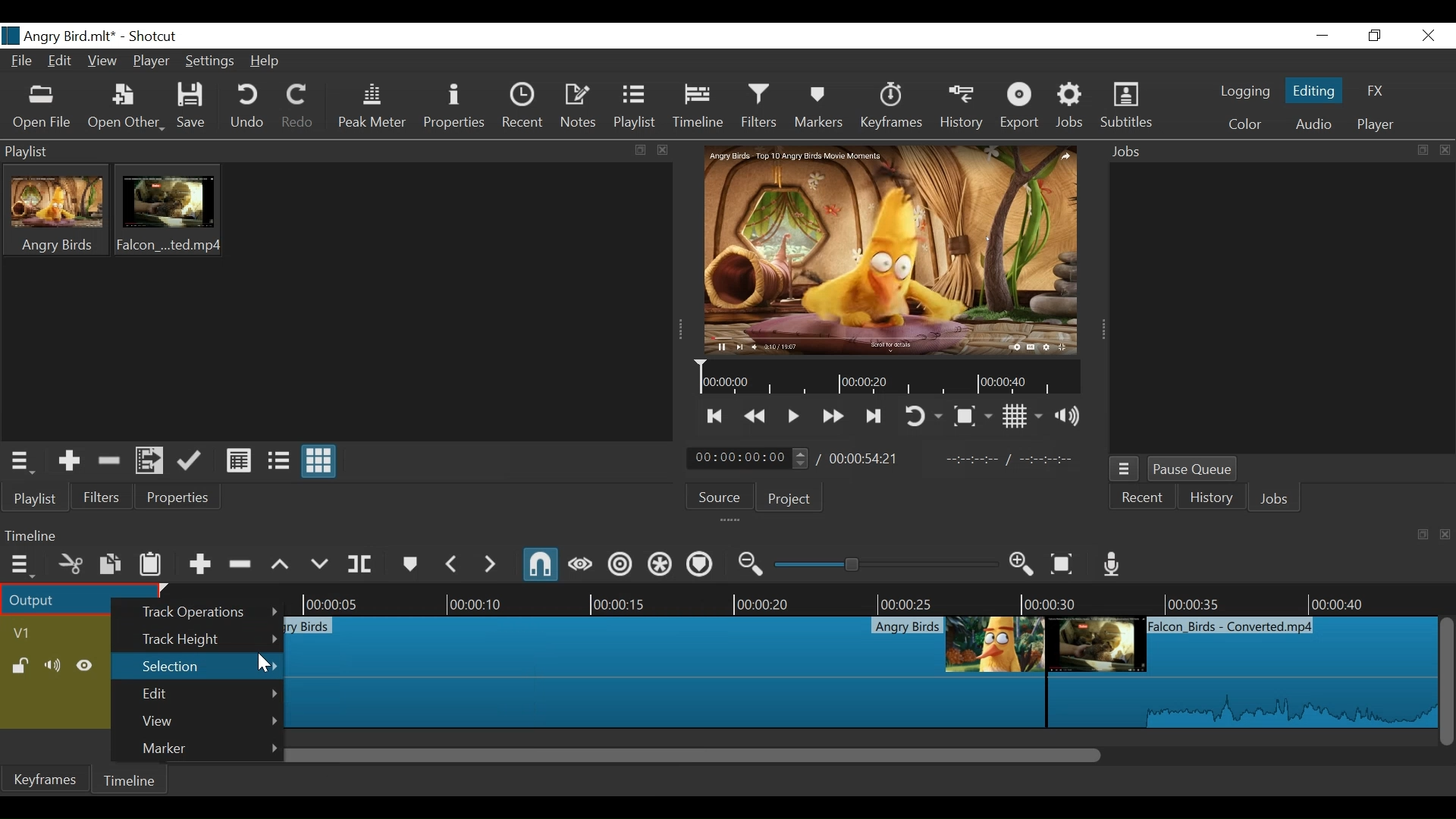  Describe the element at coordinates (210, 613) in the screenshot. I see `Track Operations` at that location.